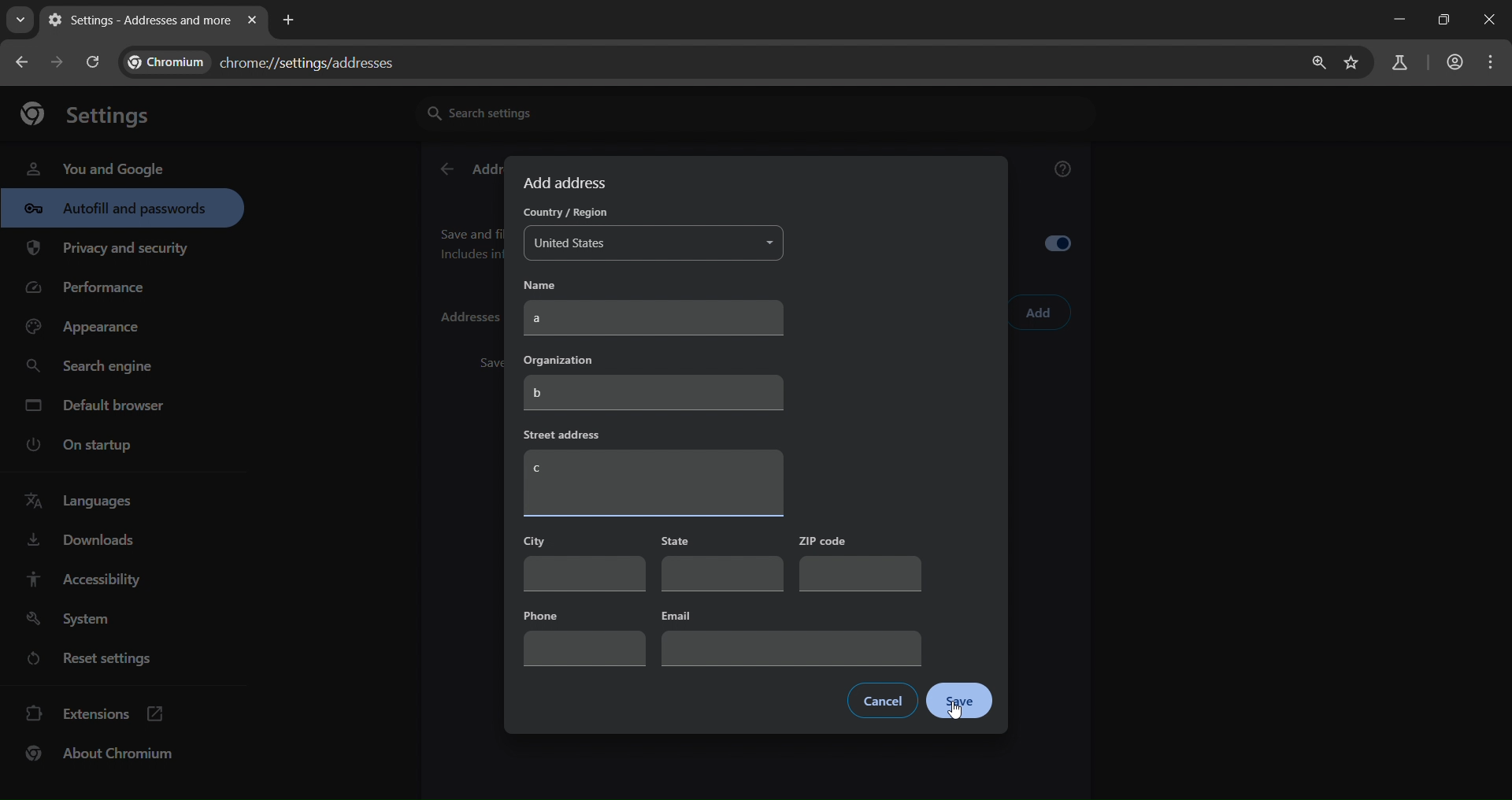  I want to click on chrome://settings/addresses, so click(272, 59).